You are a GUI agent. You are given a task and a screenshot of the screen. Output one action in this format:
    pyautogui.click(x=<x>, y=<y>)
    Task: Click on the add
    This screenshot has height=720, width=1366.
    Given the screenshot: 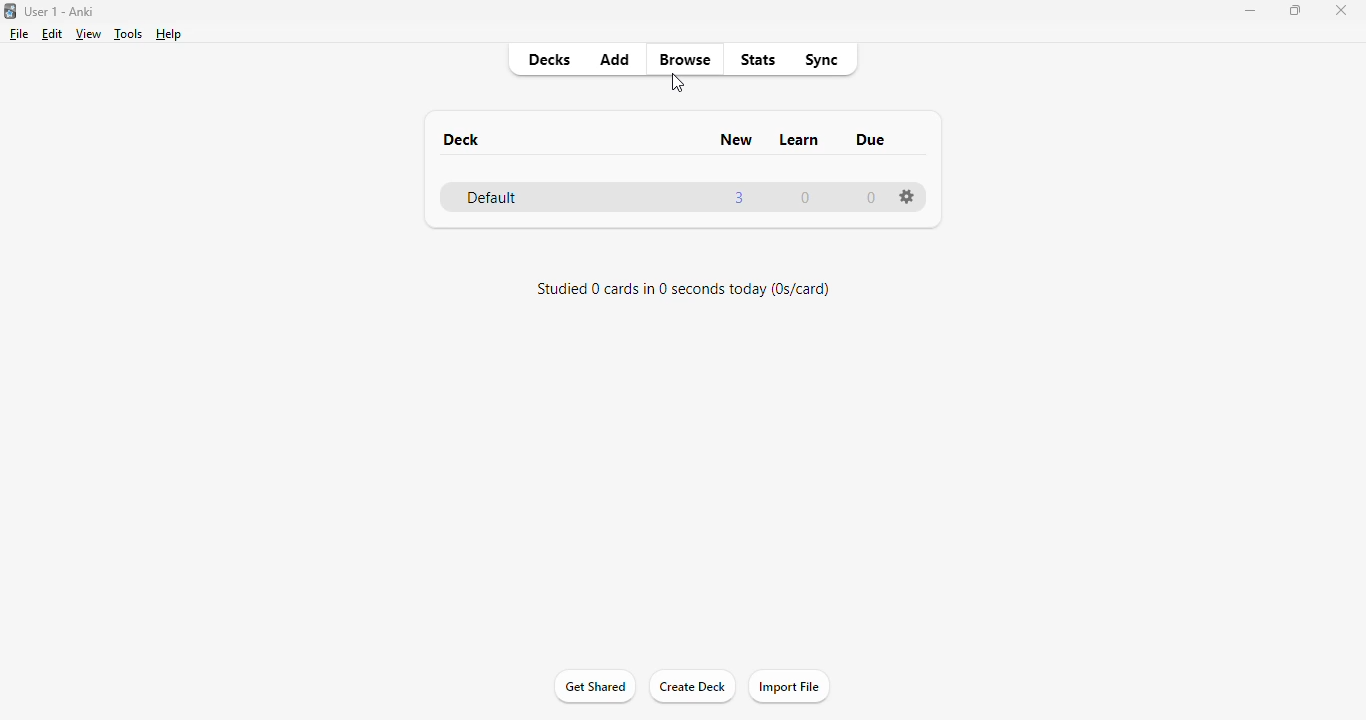 What is the action you would take?
    pyautogui.click(x=615, y=59)
    